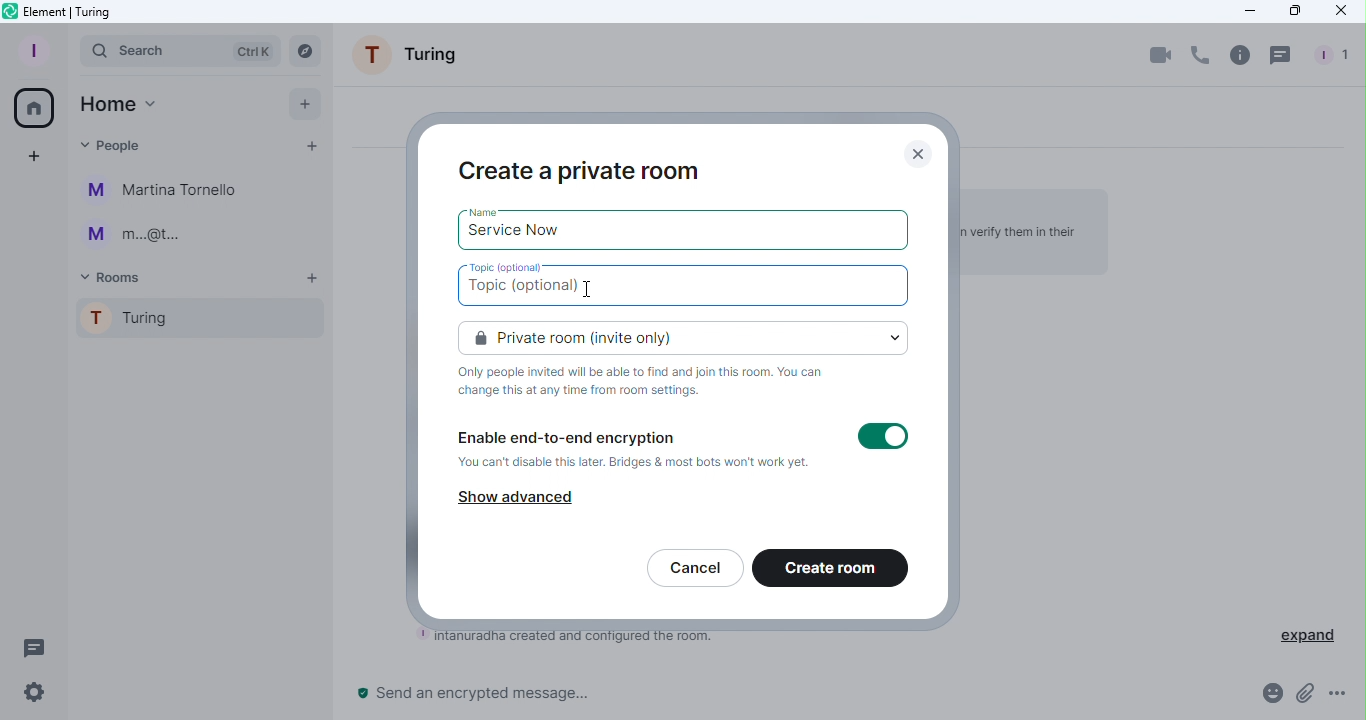 The width and height of the screenshot is (1366, 720). What do you see at coordinates (116, 276) in the screenshot?
I see `Rooms` at bounding box center [116, 276].